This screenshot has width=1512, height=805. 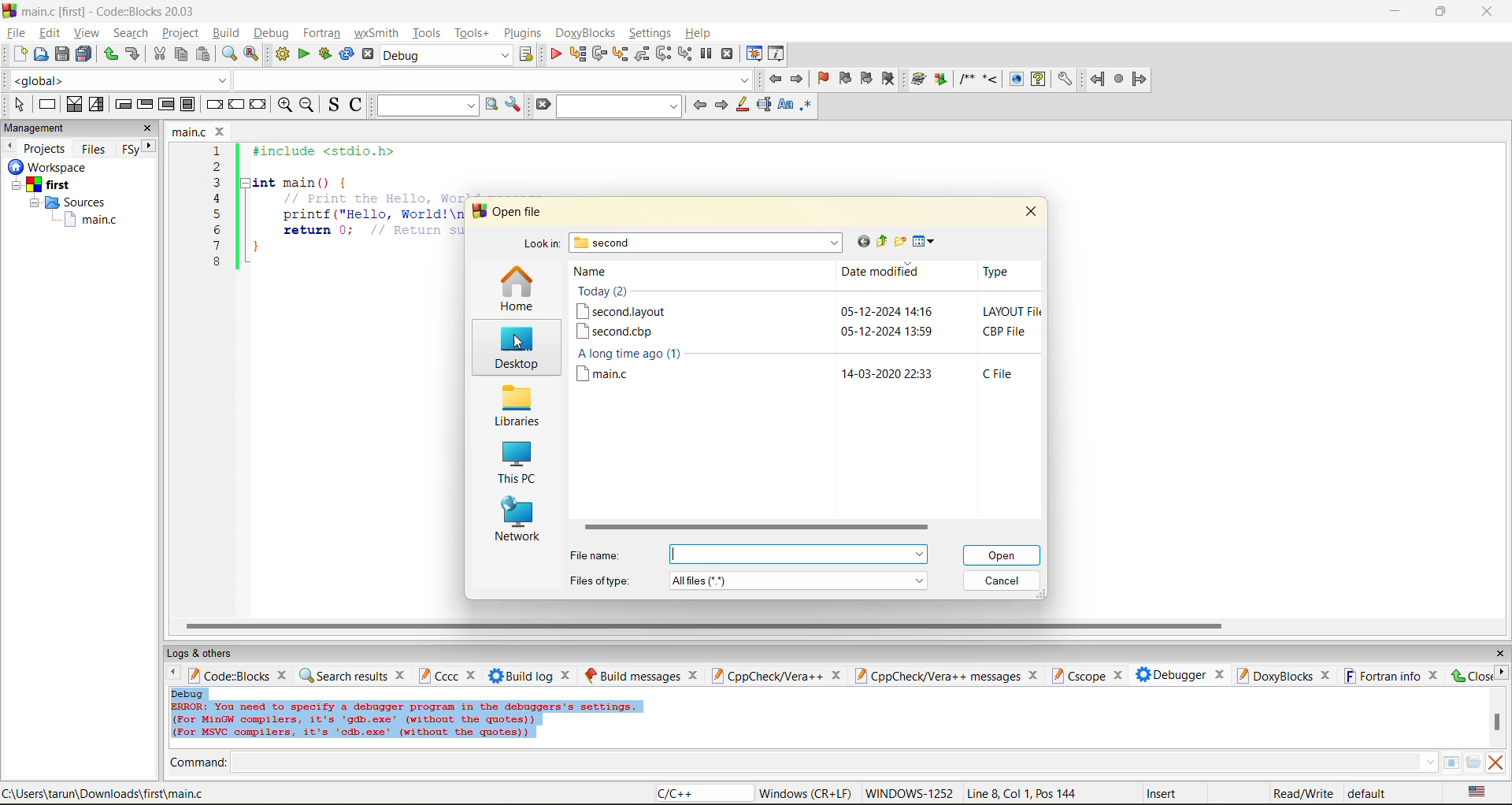 What do you see at coordinates (9, 9) in the screenshot?
I see `logo` at bounding box center [9, 9].